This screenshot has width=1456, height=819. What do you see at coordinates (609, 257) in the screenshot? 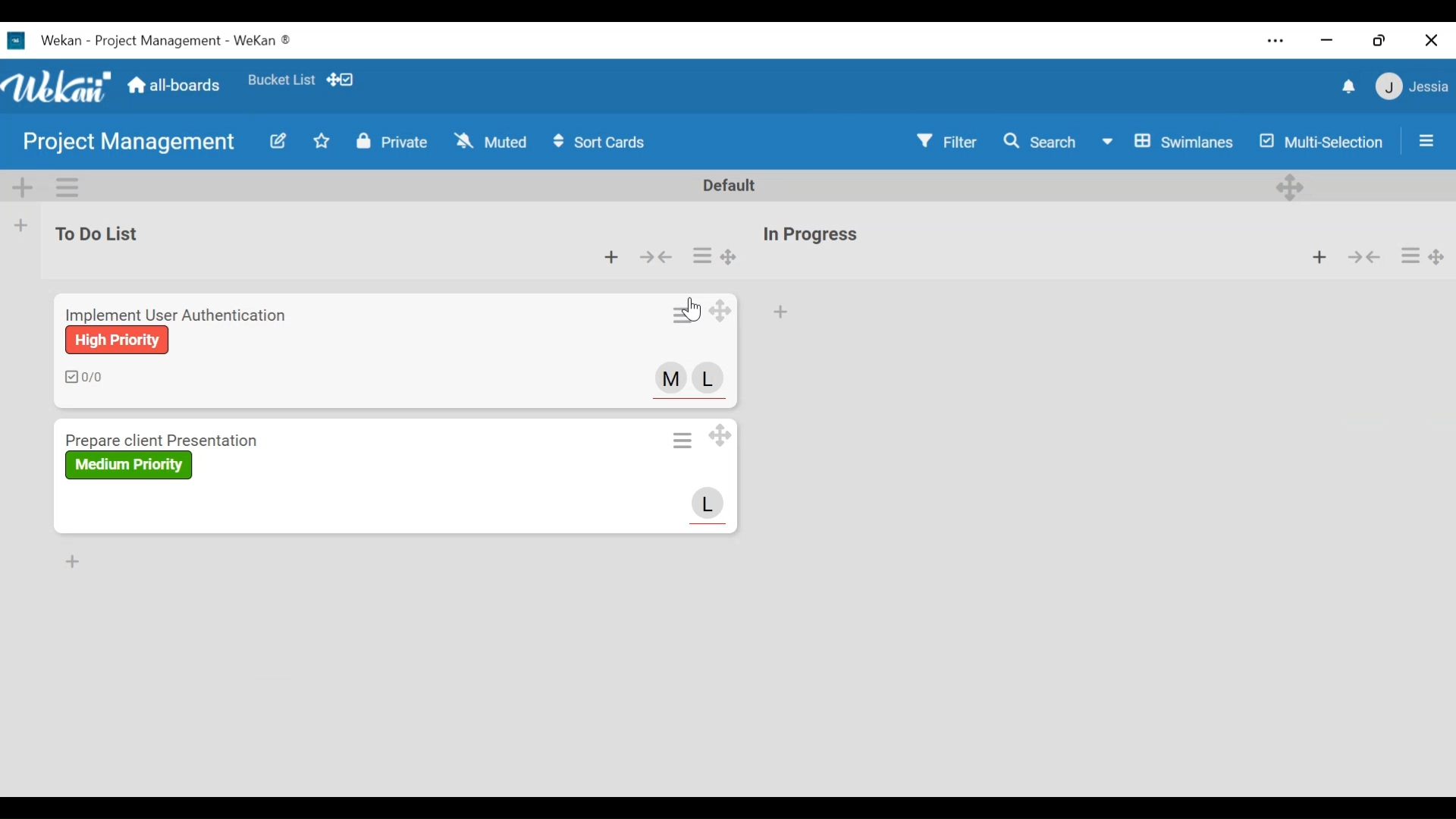
I see `Add card to top of the list` at bounding box center [609, 257].